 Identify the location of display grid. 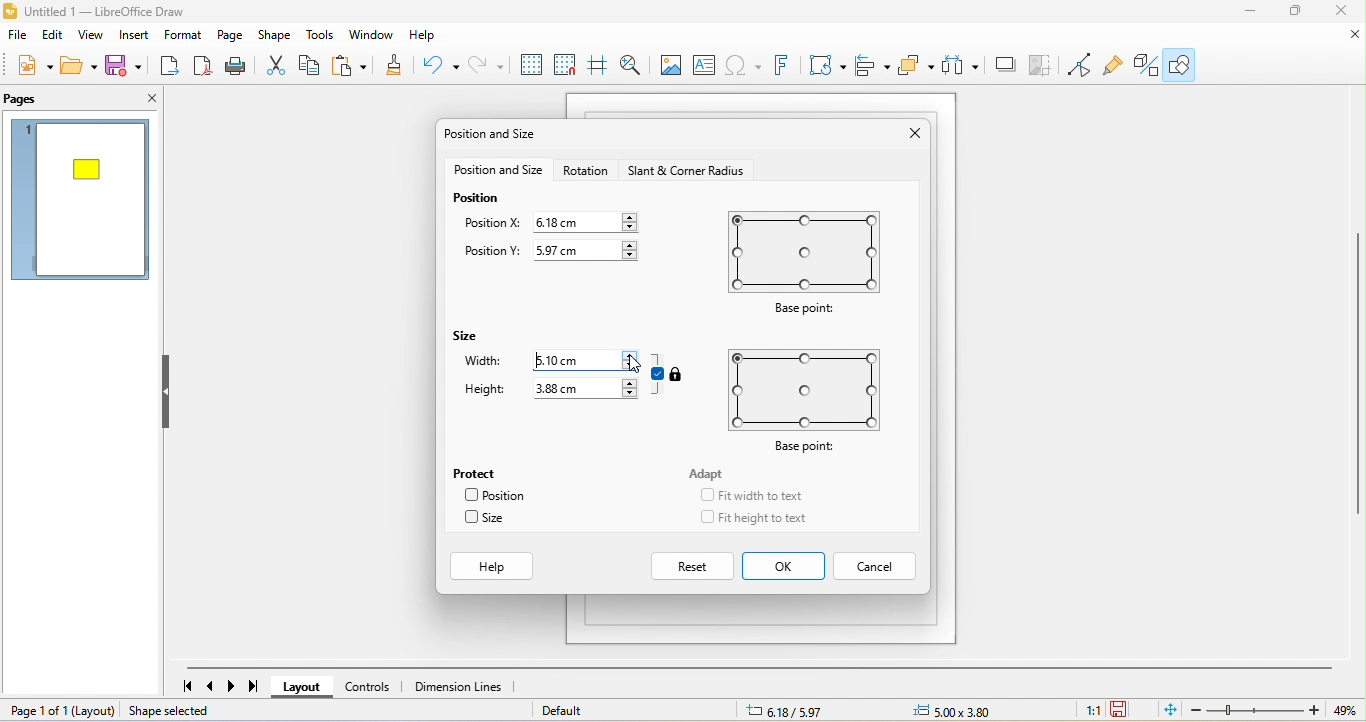
(531, 63).